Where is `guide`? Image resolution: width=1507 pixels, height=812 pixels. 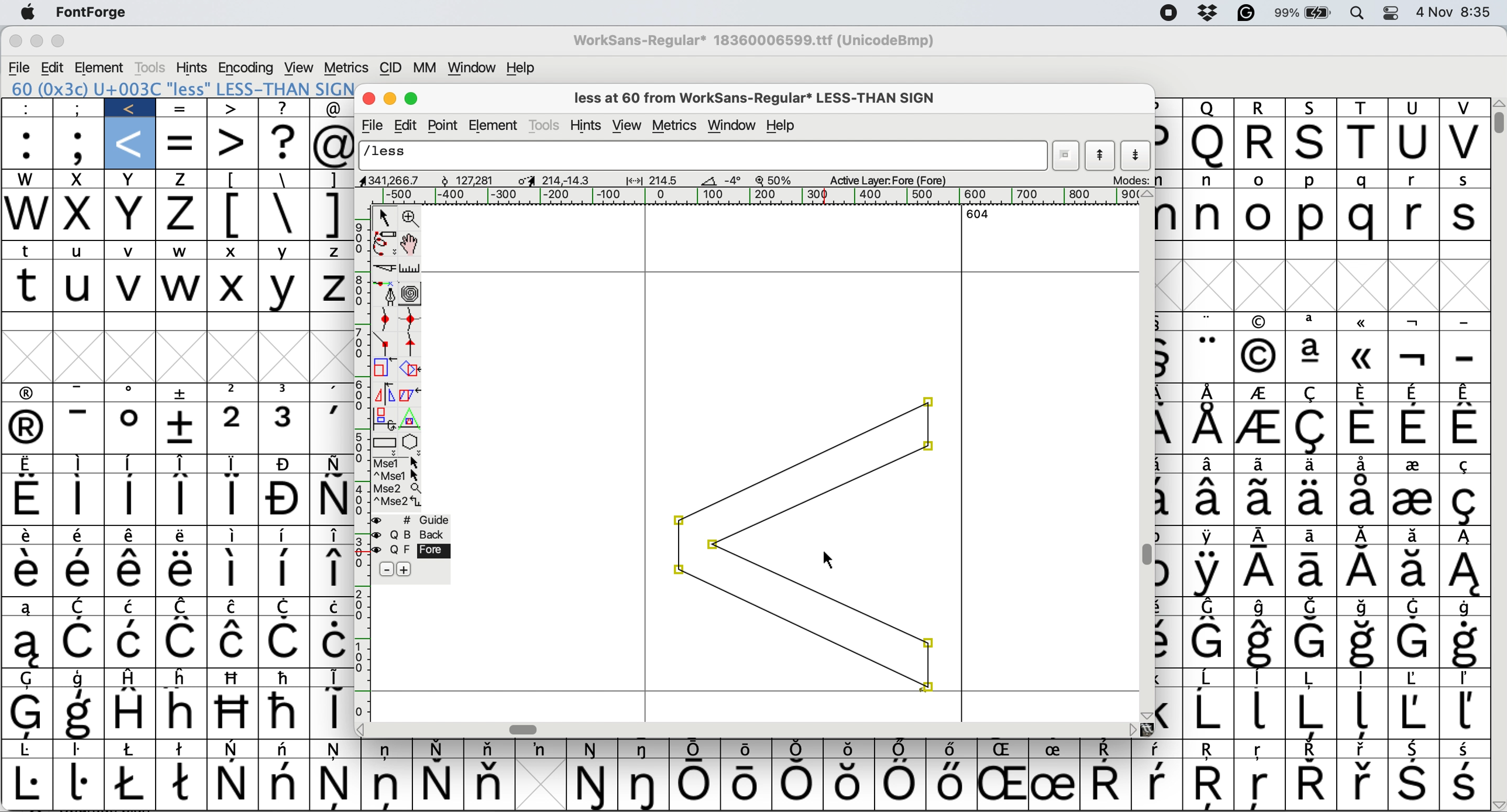 guide is located at coordinates (420, 518).